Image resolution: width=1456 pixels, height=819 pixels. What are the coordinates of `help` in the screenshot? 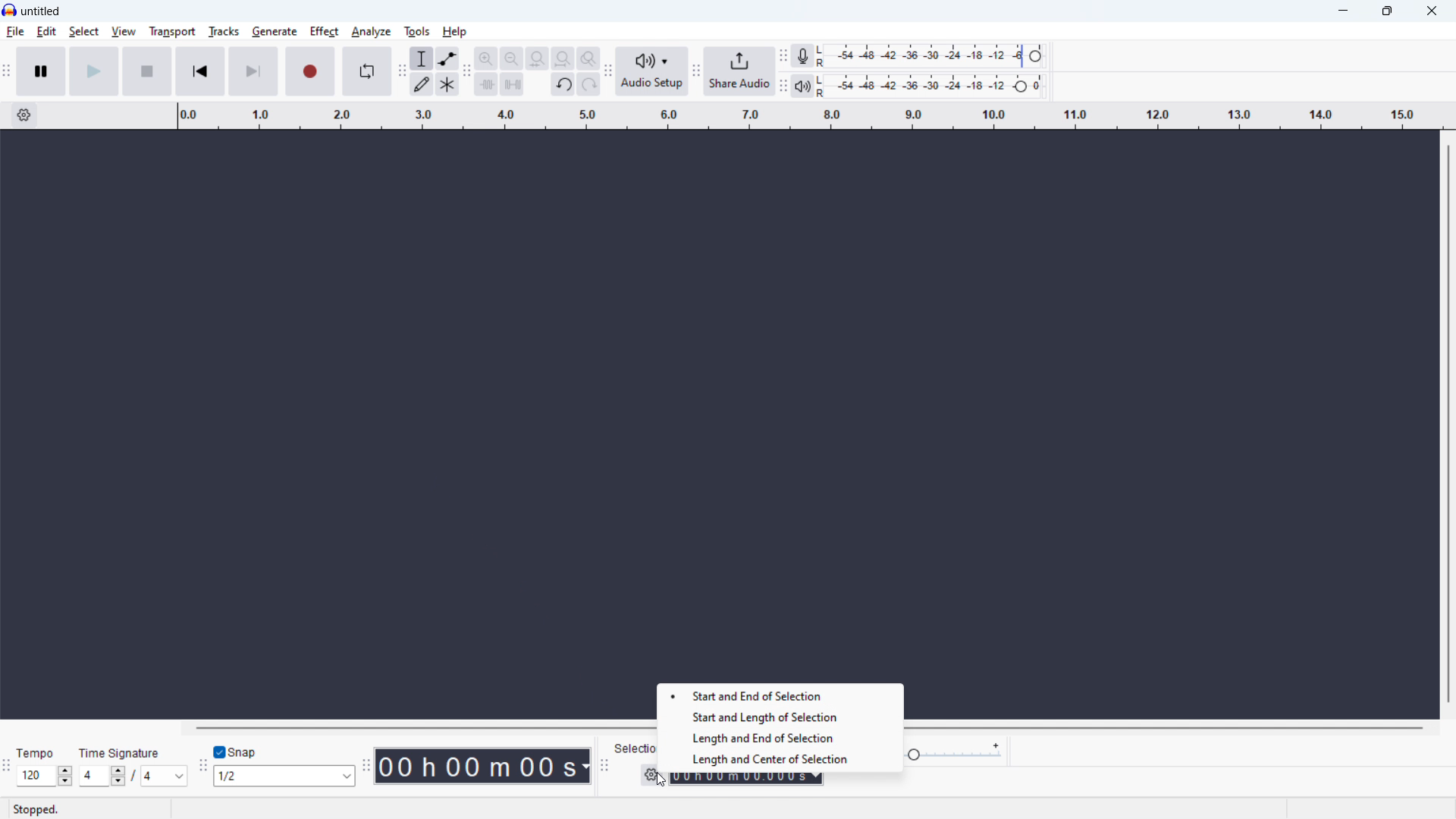 It's located at (456, 32).